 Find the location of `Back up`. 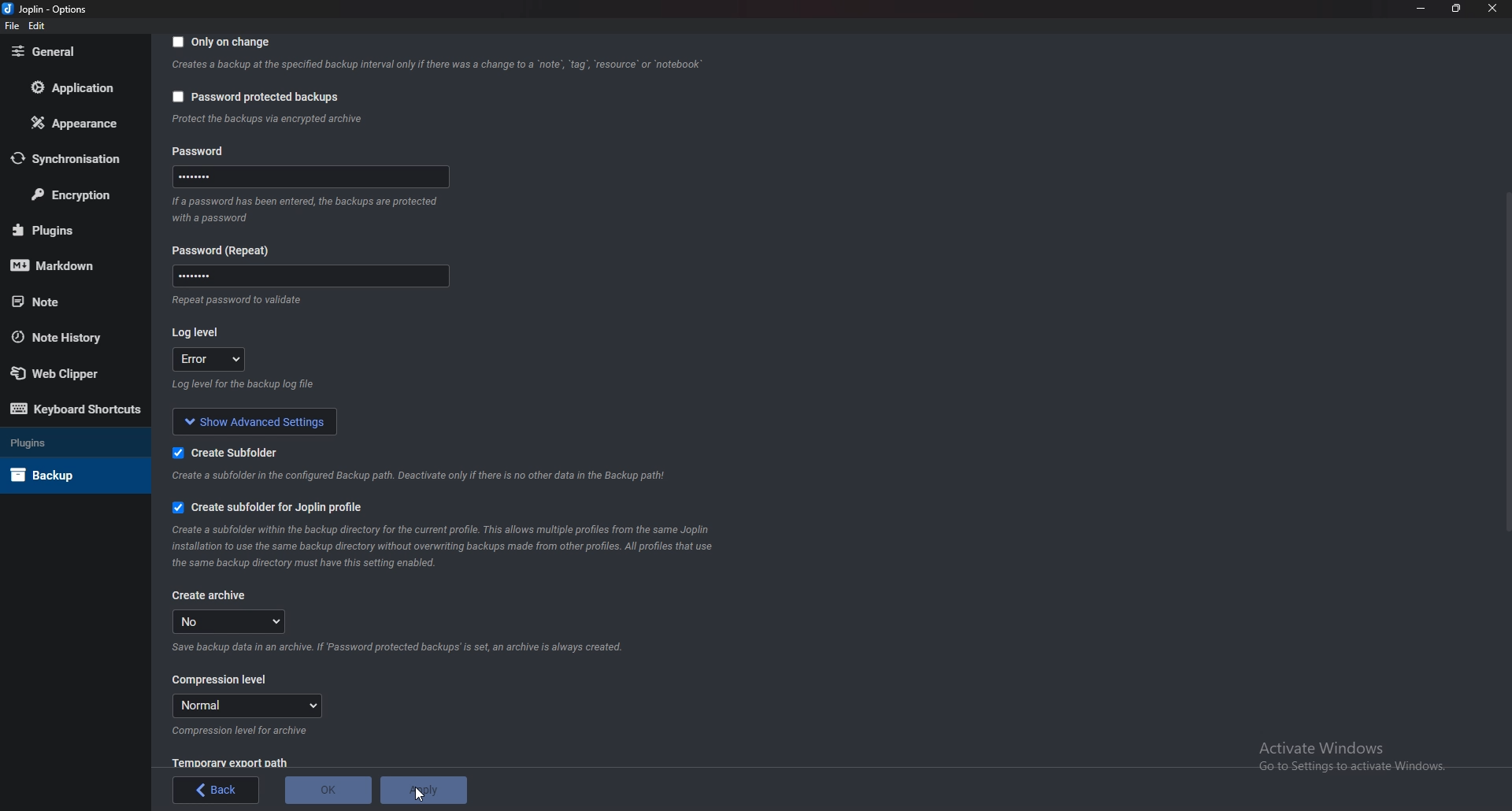

Back up is located at coordinates (65, 475).